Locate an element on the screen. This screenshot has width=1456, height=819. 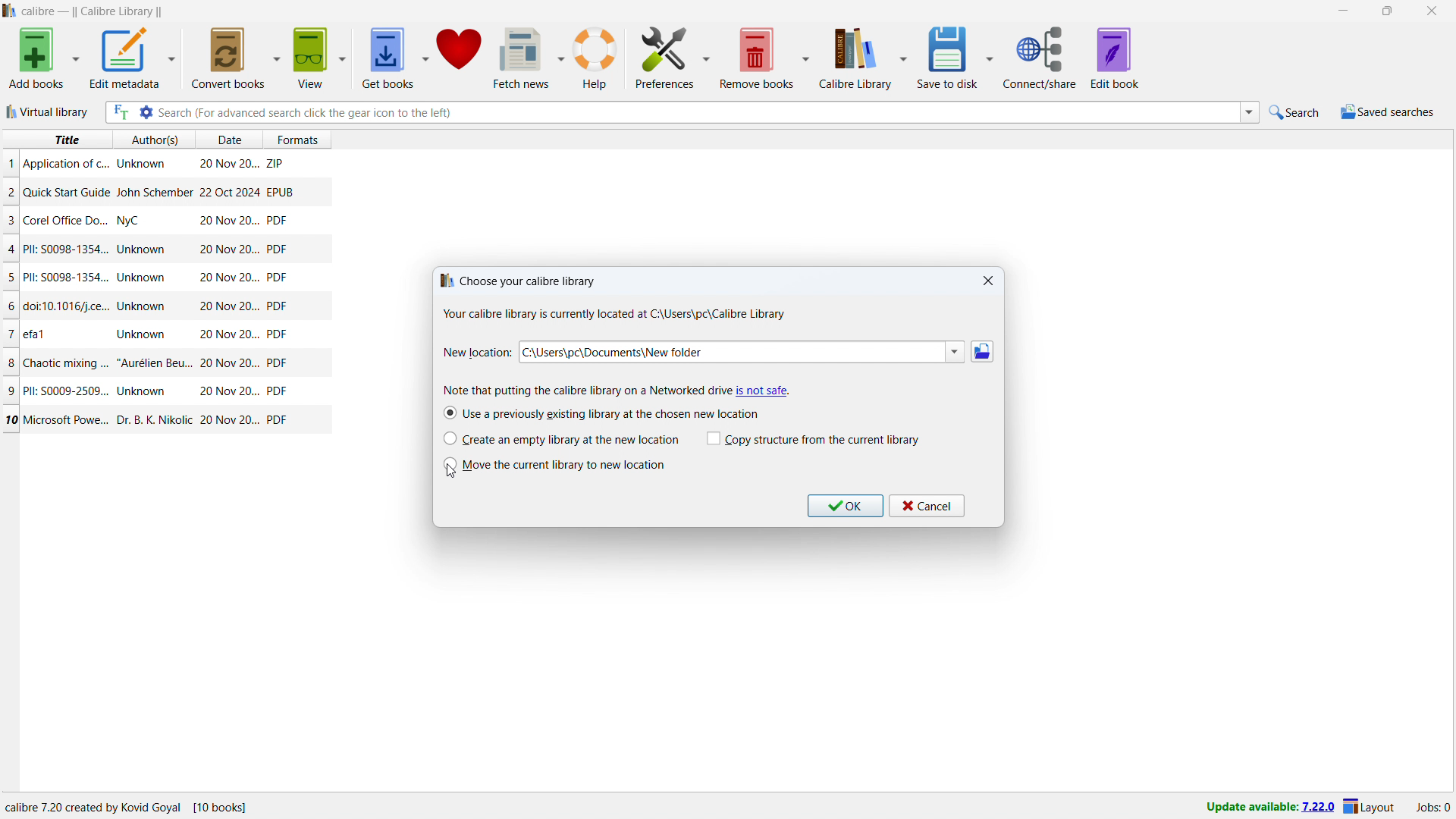
title is located at coordinates (65, 140).